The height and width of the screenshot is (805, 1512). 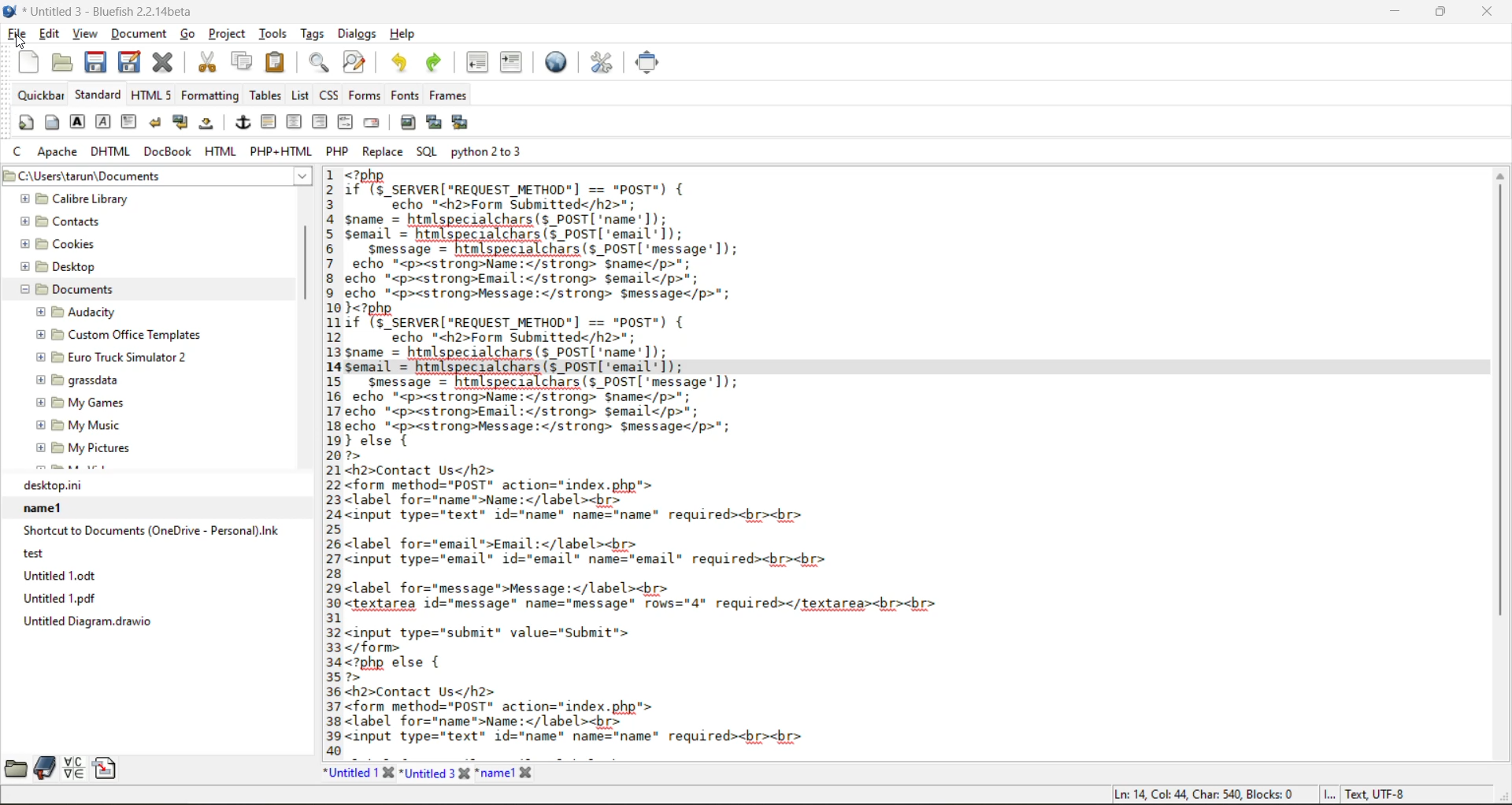 What do you see at coordinates (410, 123) in the screenshot?
I see `insert image` at bounding box center [410, 123].